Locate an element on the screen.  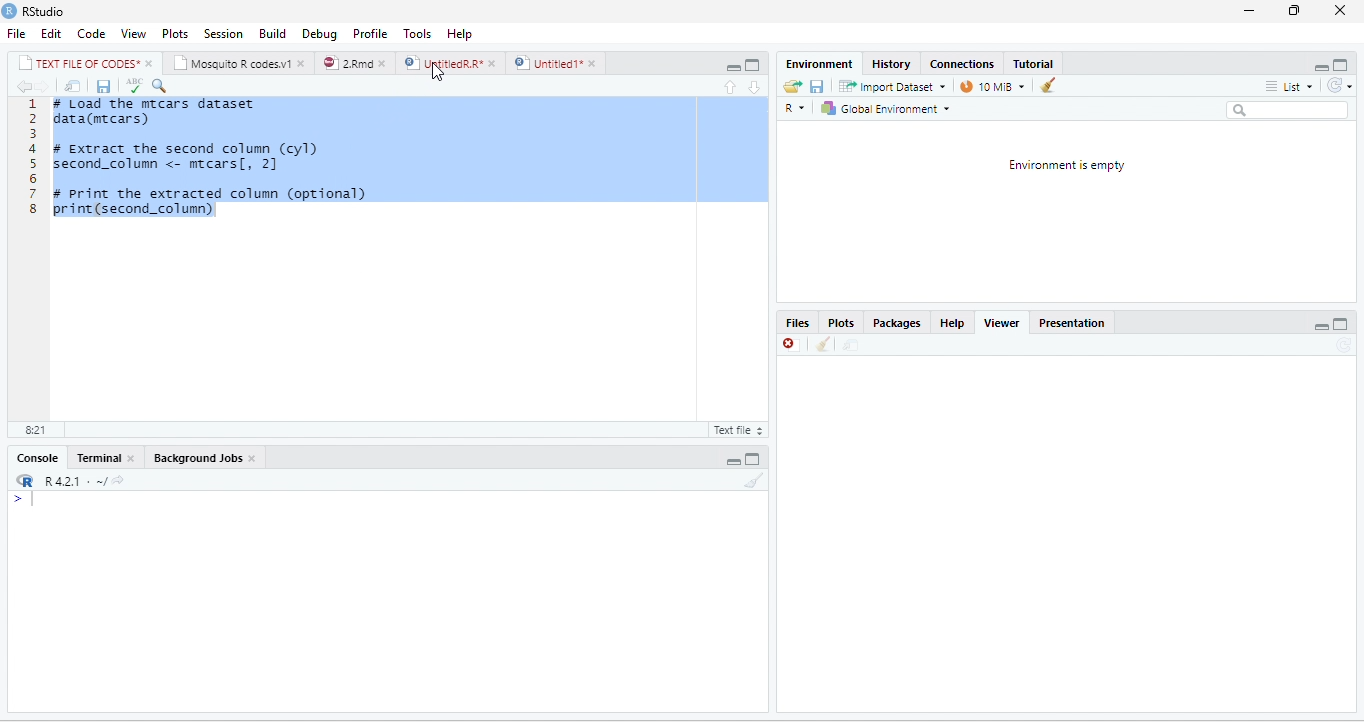
RStudio logo is located at coordinates (9, 11).